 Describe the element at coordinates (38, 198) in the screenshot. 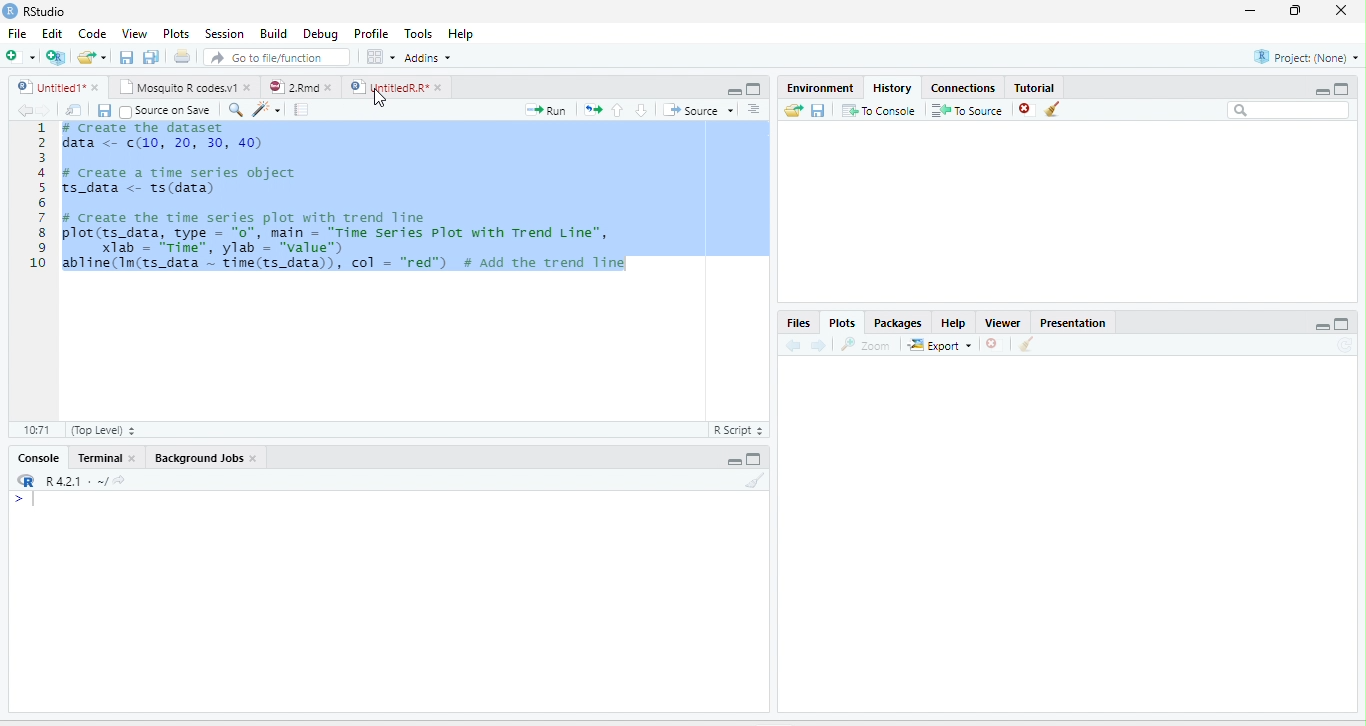

I see `Line numbers` at that location.